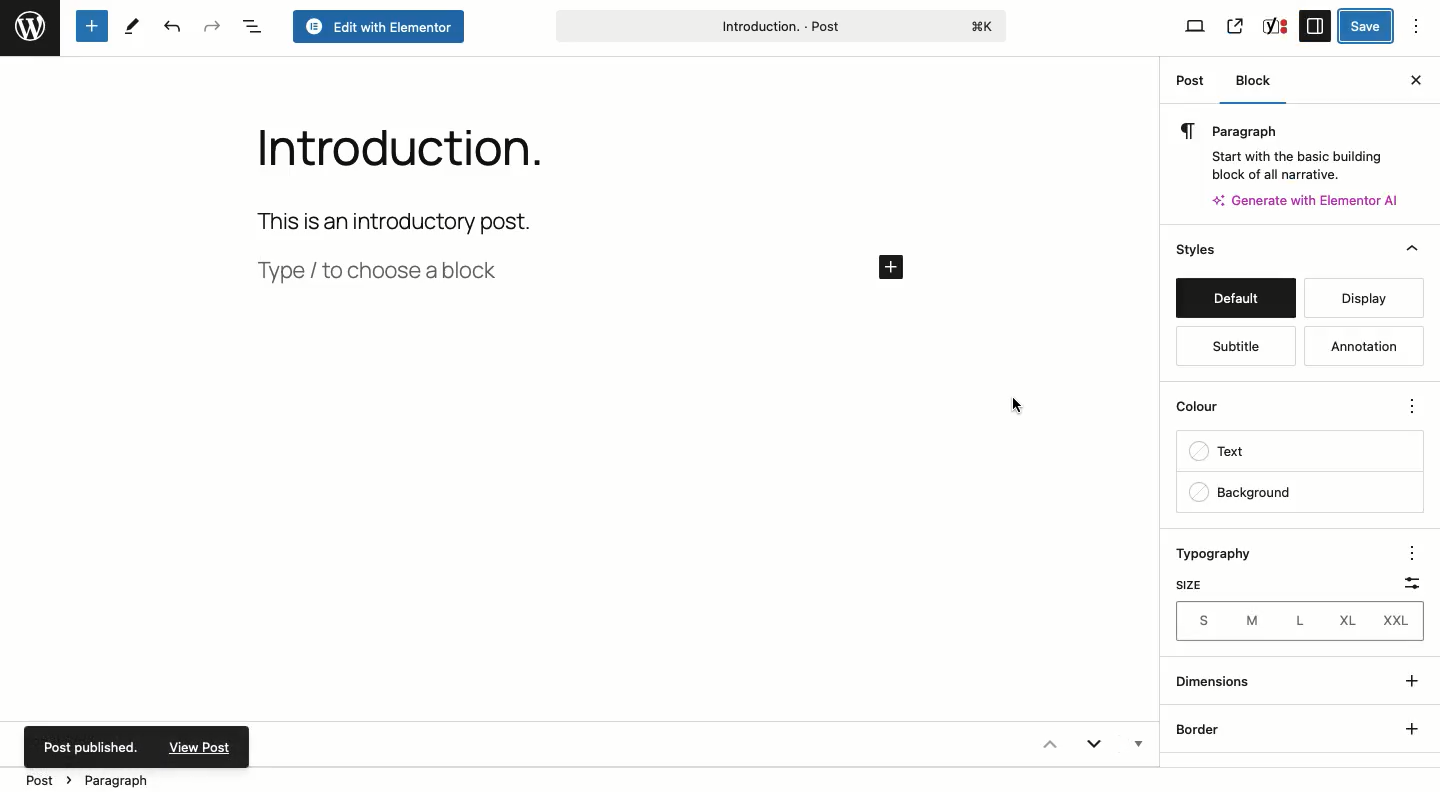  I want to click on Options, so click(1408, 551).